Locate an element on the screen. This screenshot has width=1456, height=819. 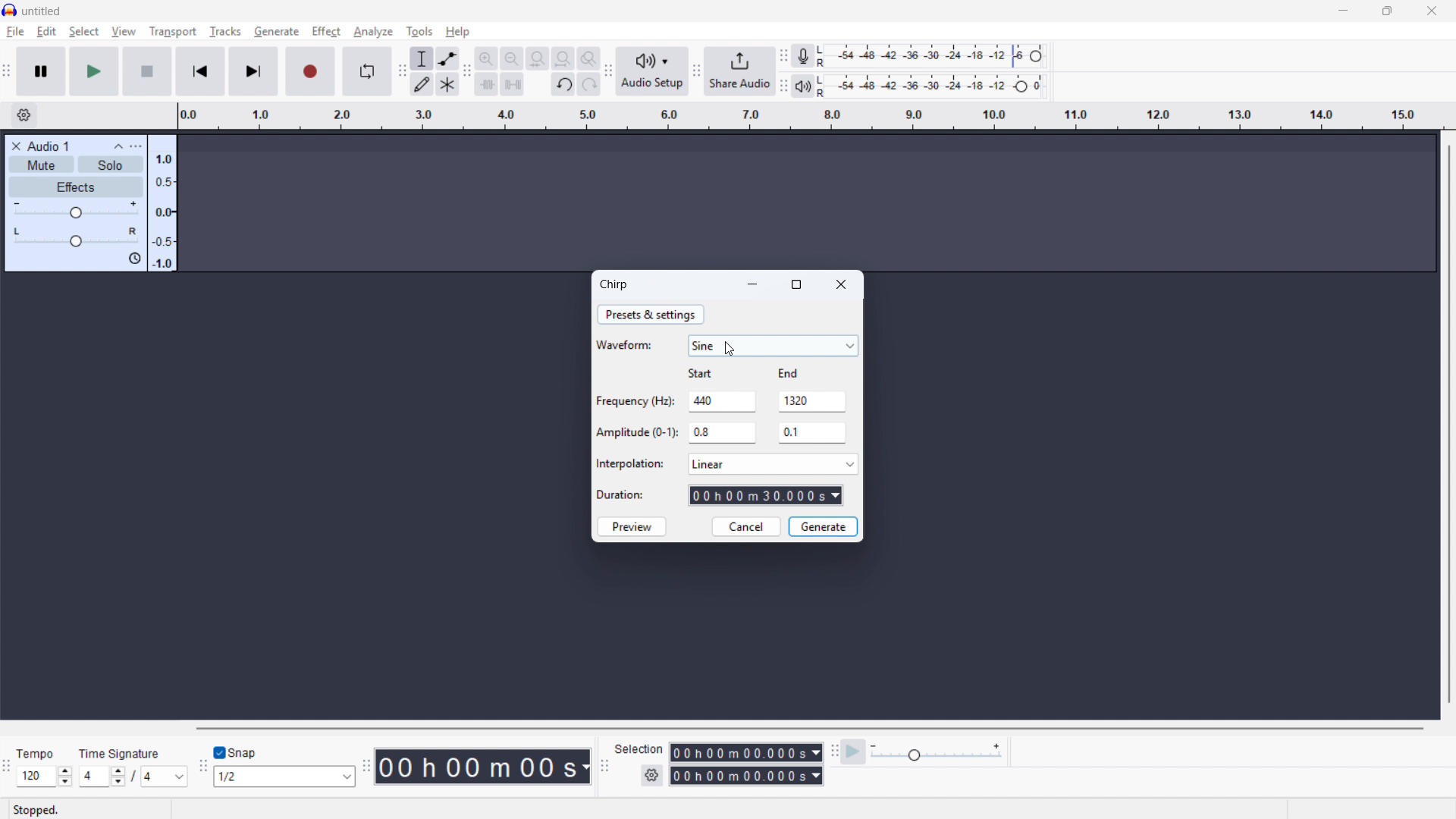
Selection toolbar  is located at coordinates (604, 764).